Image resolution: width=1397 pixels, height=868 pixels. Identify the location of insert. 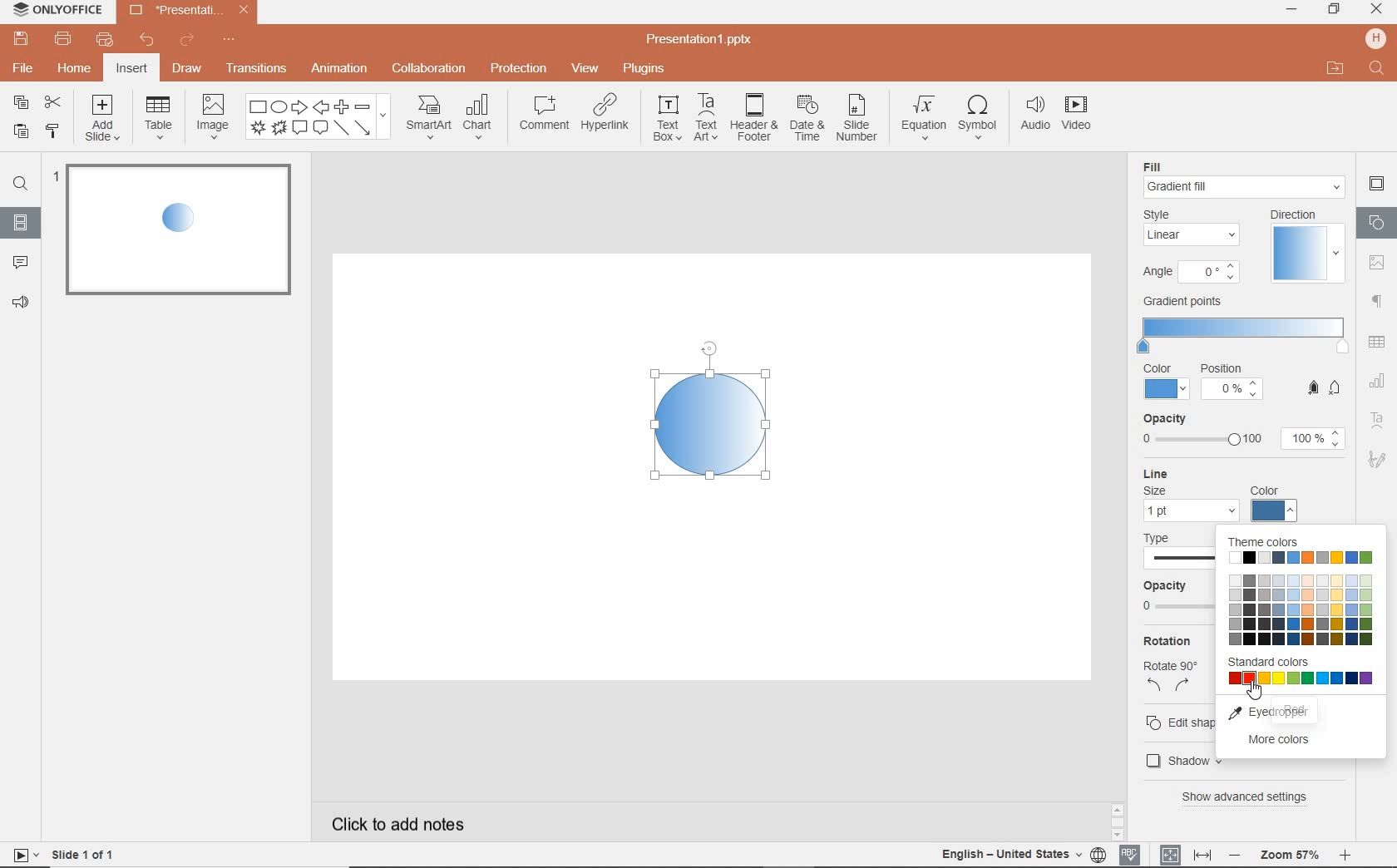
(131, 69).